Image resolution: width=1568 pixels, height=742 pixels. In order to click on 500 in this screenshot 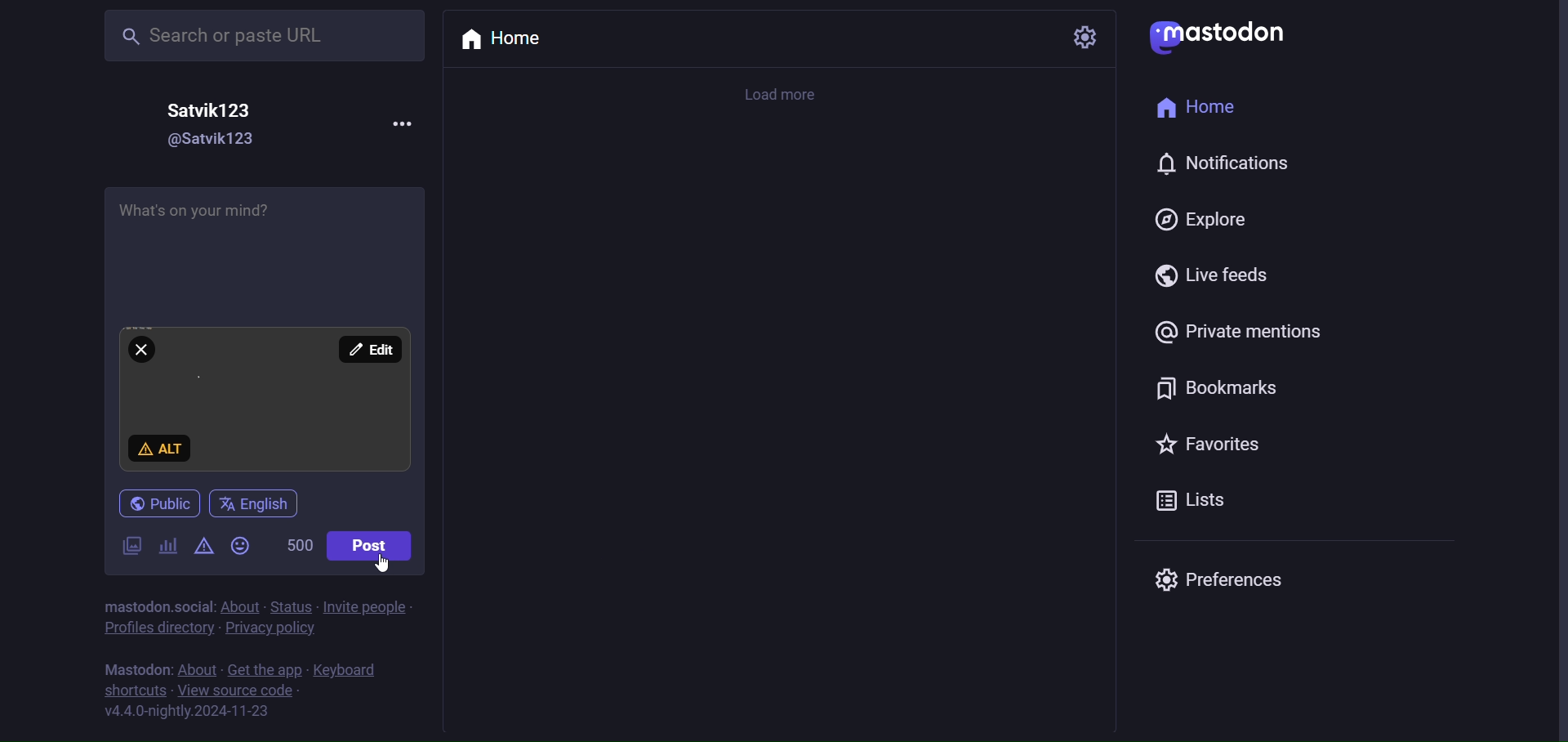, I will do `click(293, 543)`.